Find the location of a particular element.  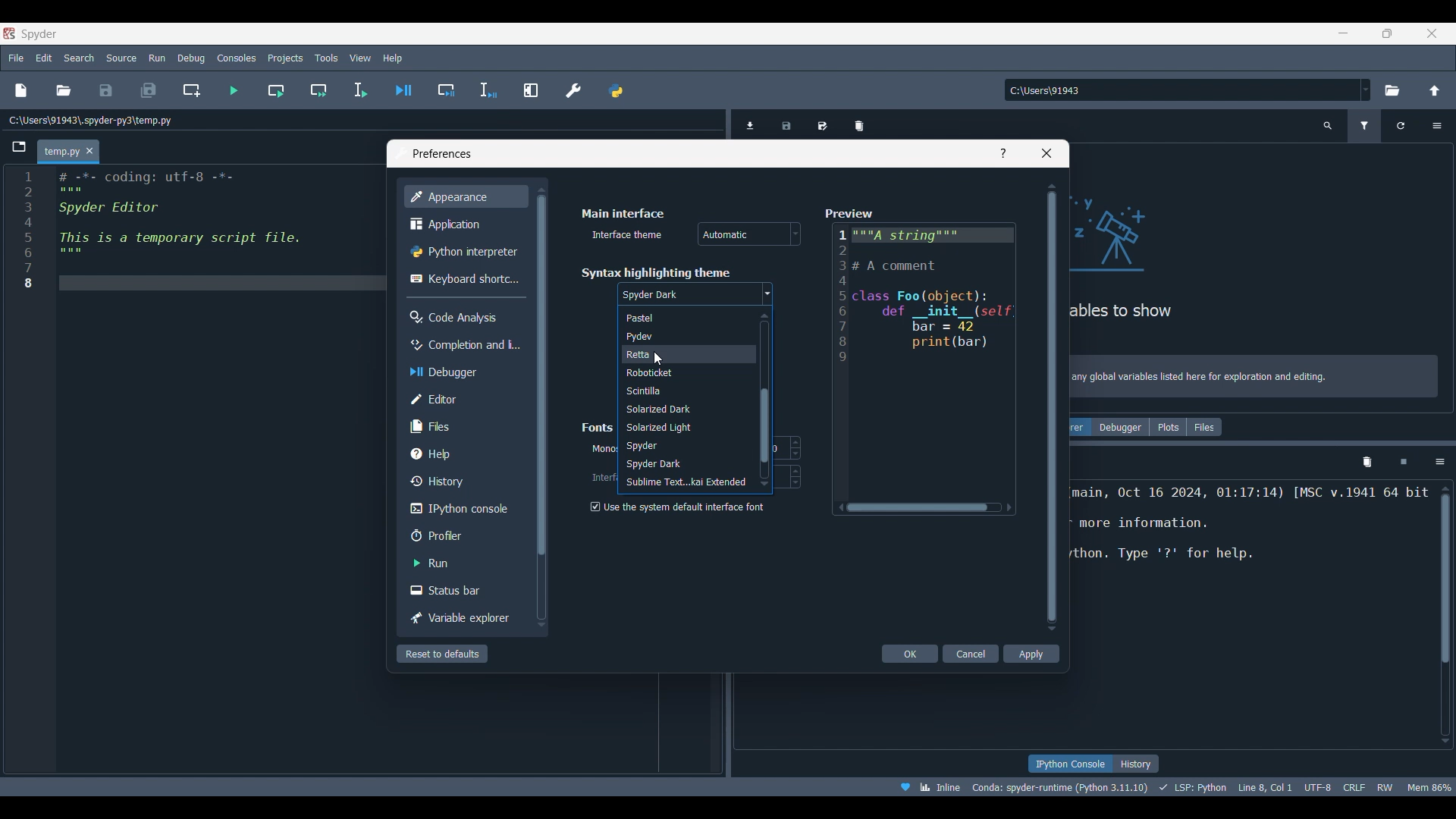

Options is located at coordinates (1436, 126).